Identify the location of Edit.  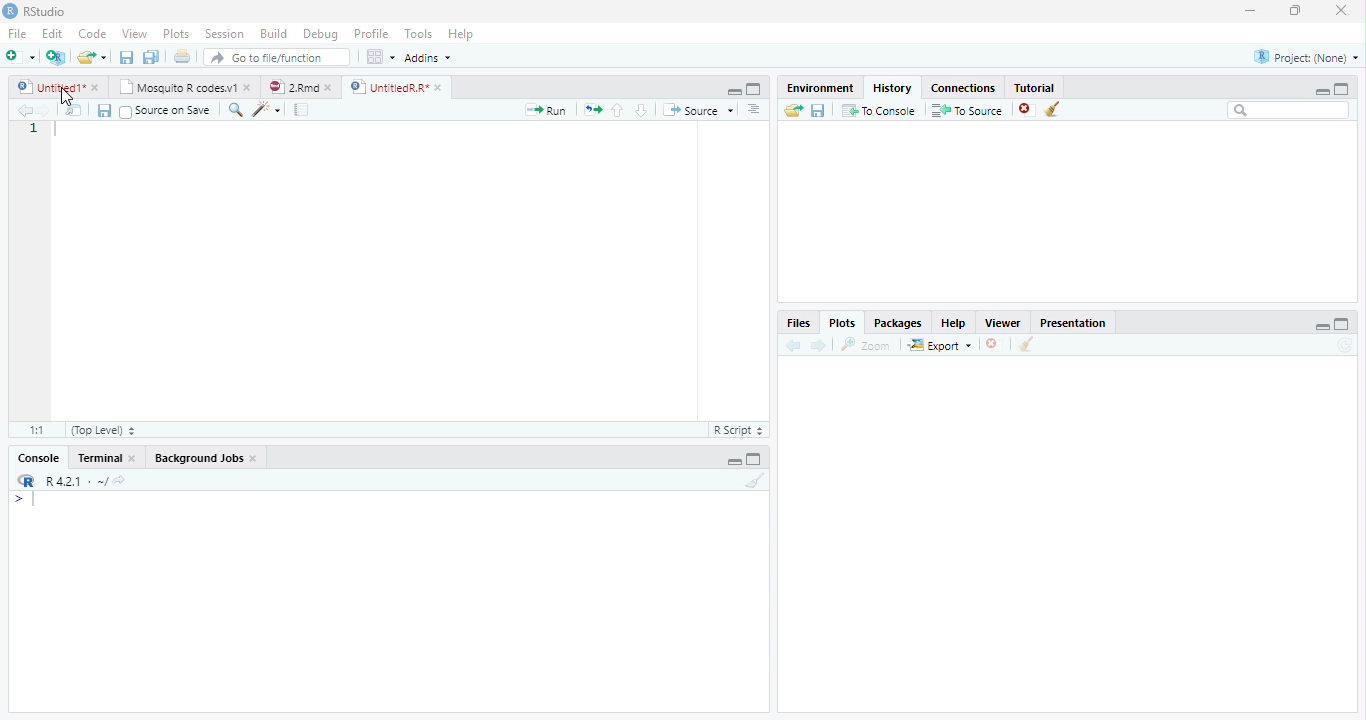
(55, 36).